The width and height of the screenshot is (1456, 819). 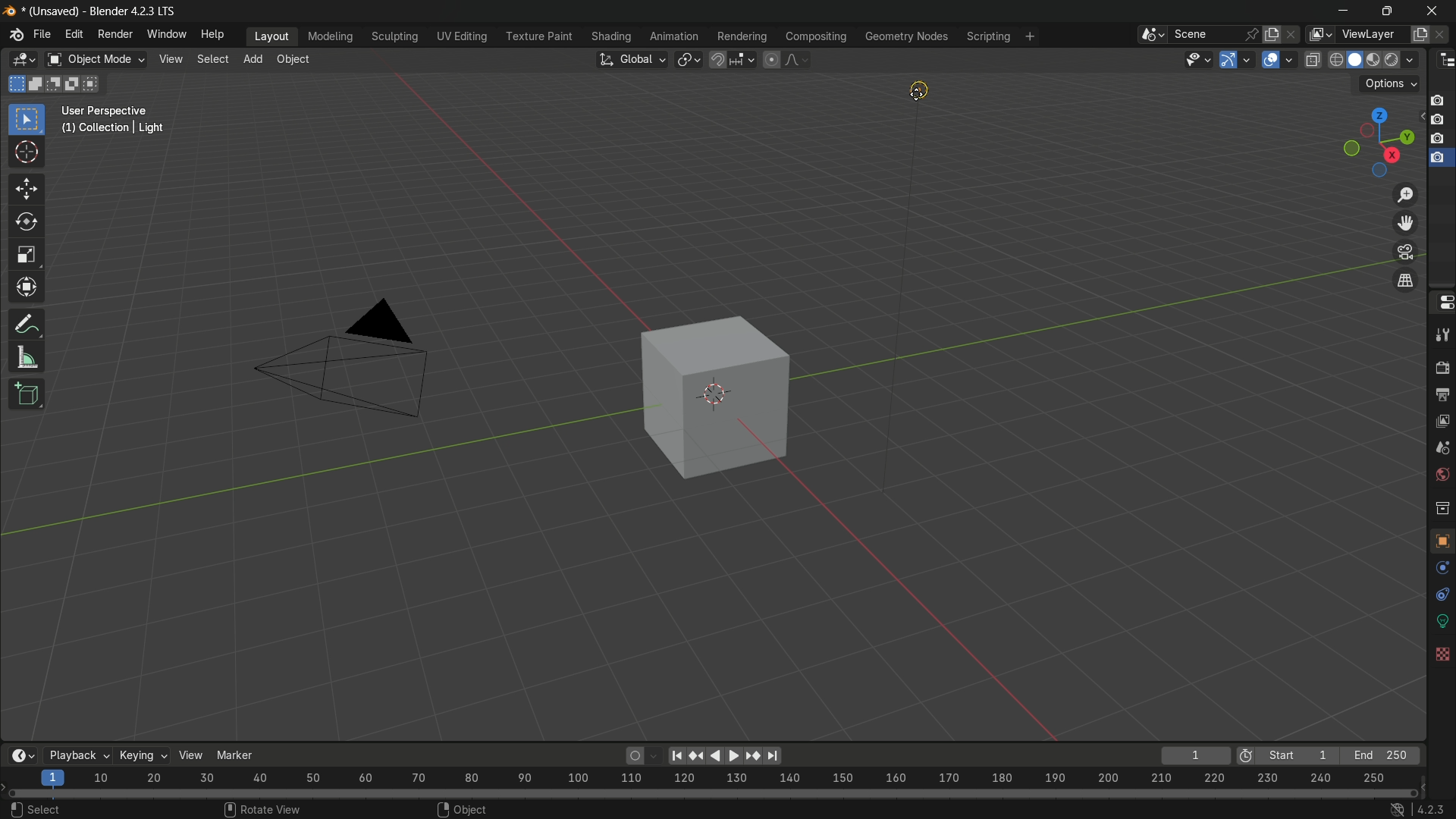 I want to click on toggle x-ray, so click(x=1313, y=61).